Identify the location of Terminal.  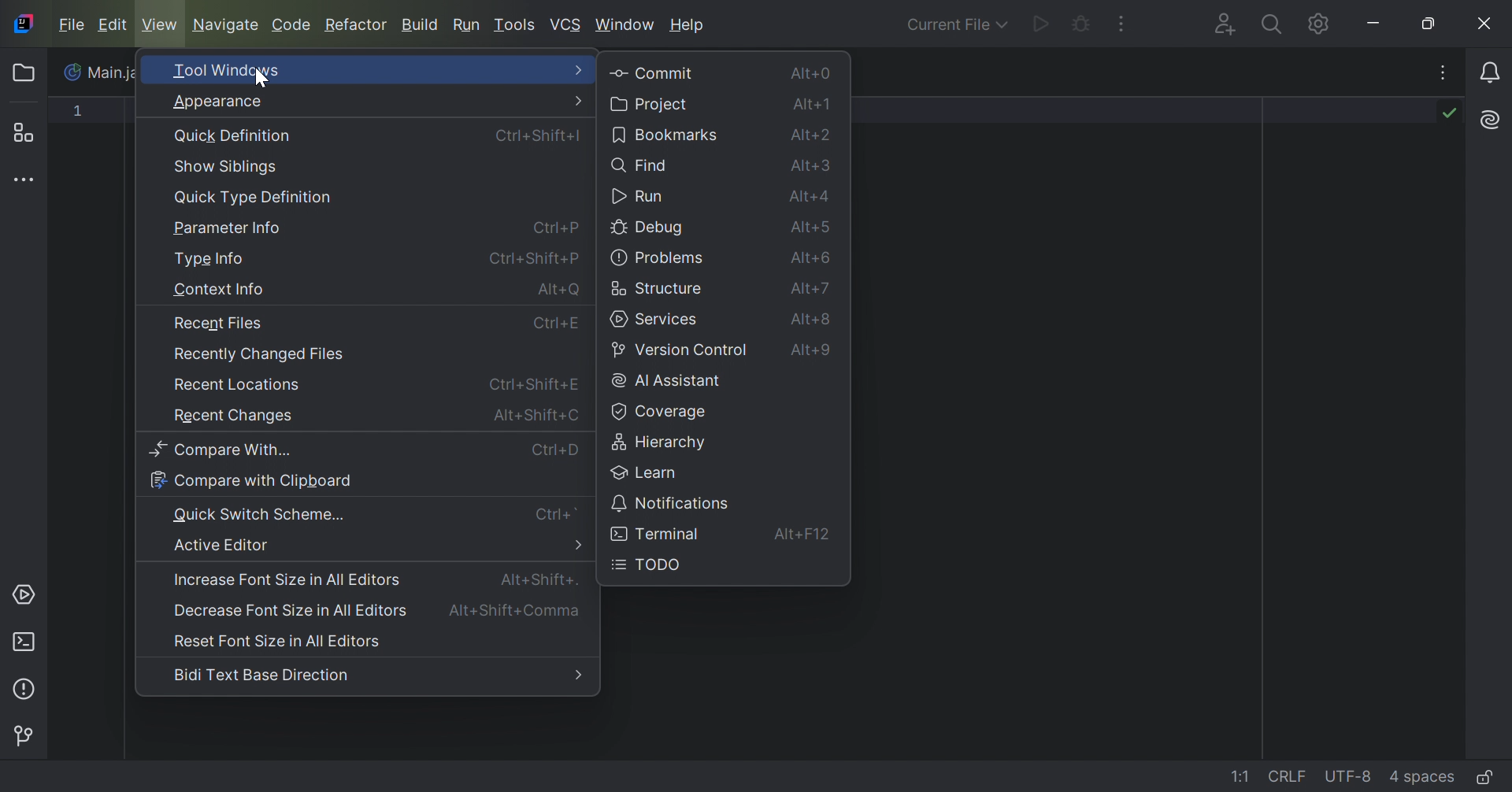
(657, 535).